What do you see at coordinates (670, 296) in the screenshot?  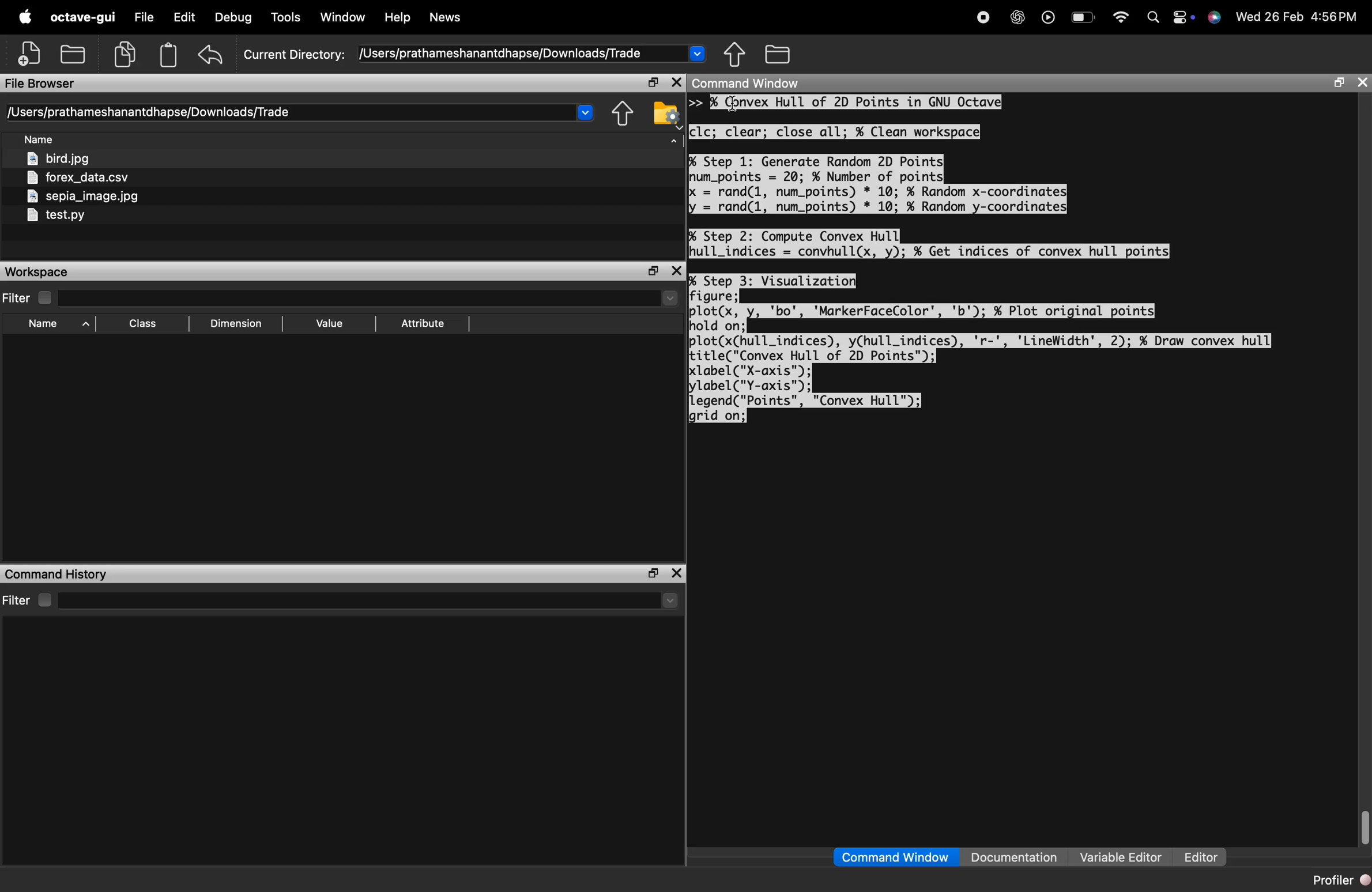 I see `drop-down ` at bounding box center [670, 296].